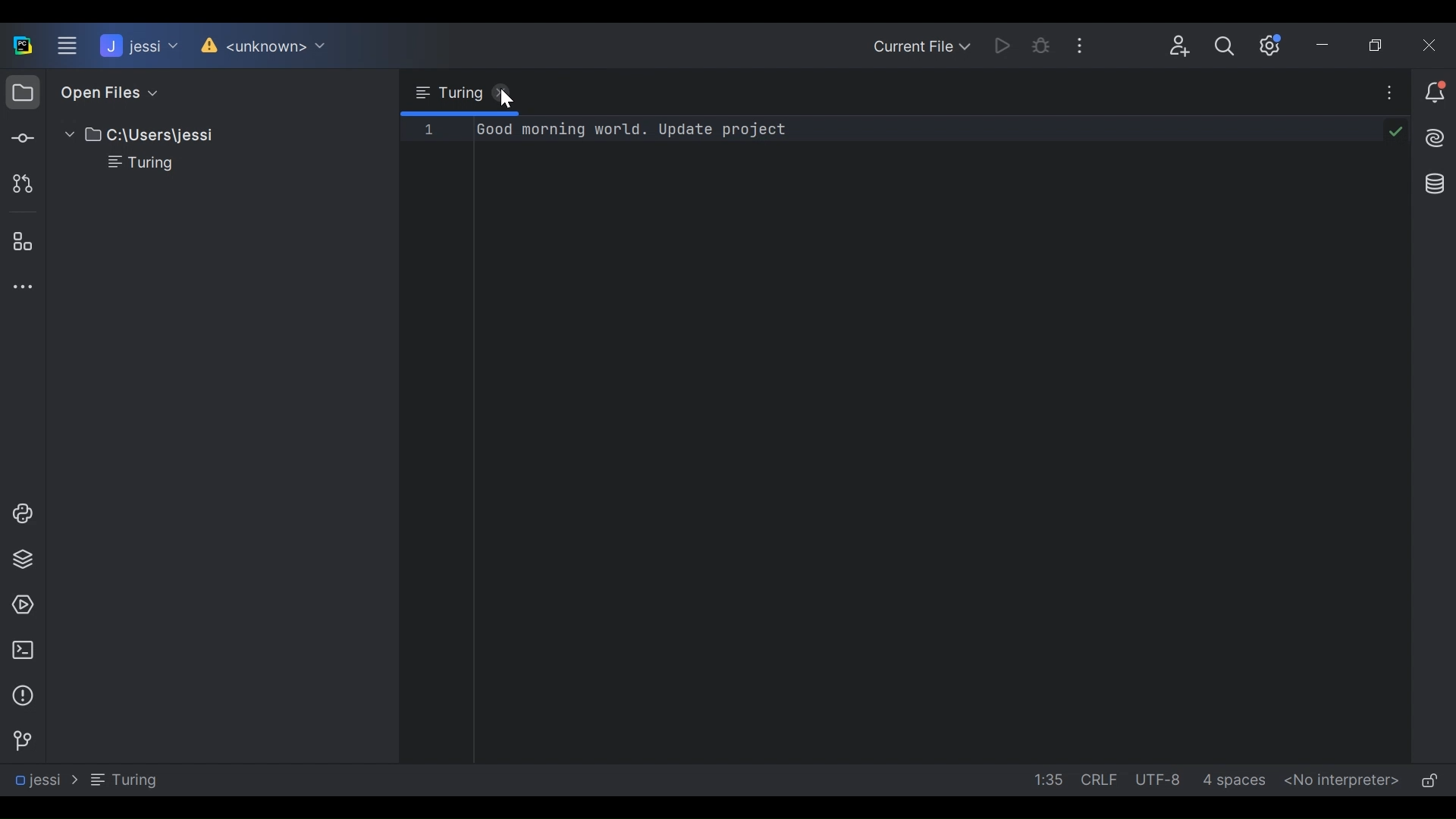  Describe the element at coordinates (851, 438) in the screenshot. I see `Editor` at that location.